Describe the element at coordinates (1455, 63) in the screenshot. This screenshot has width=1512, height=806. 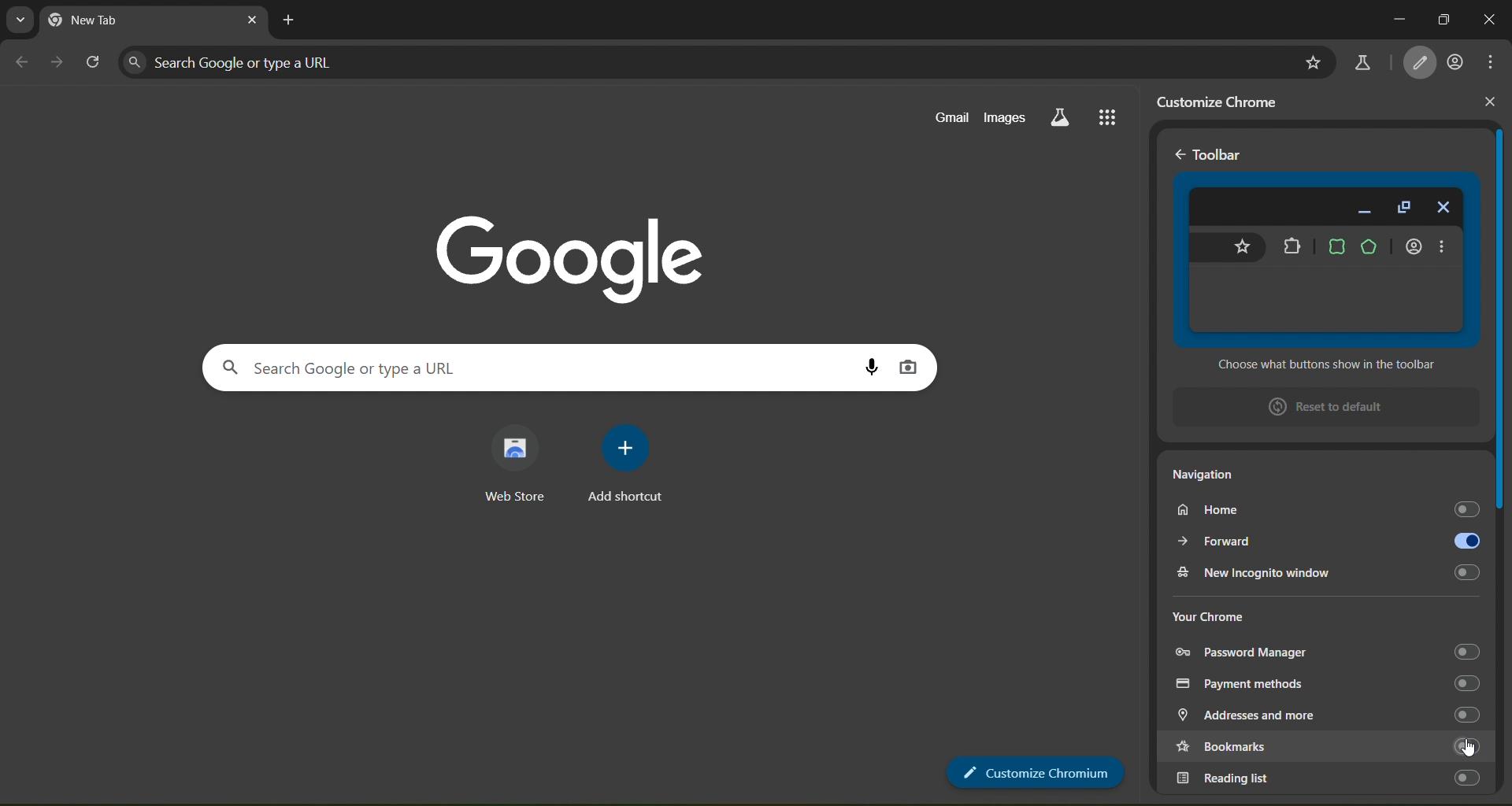
I see `account` at that location.